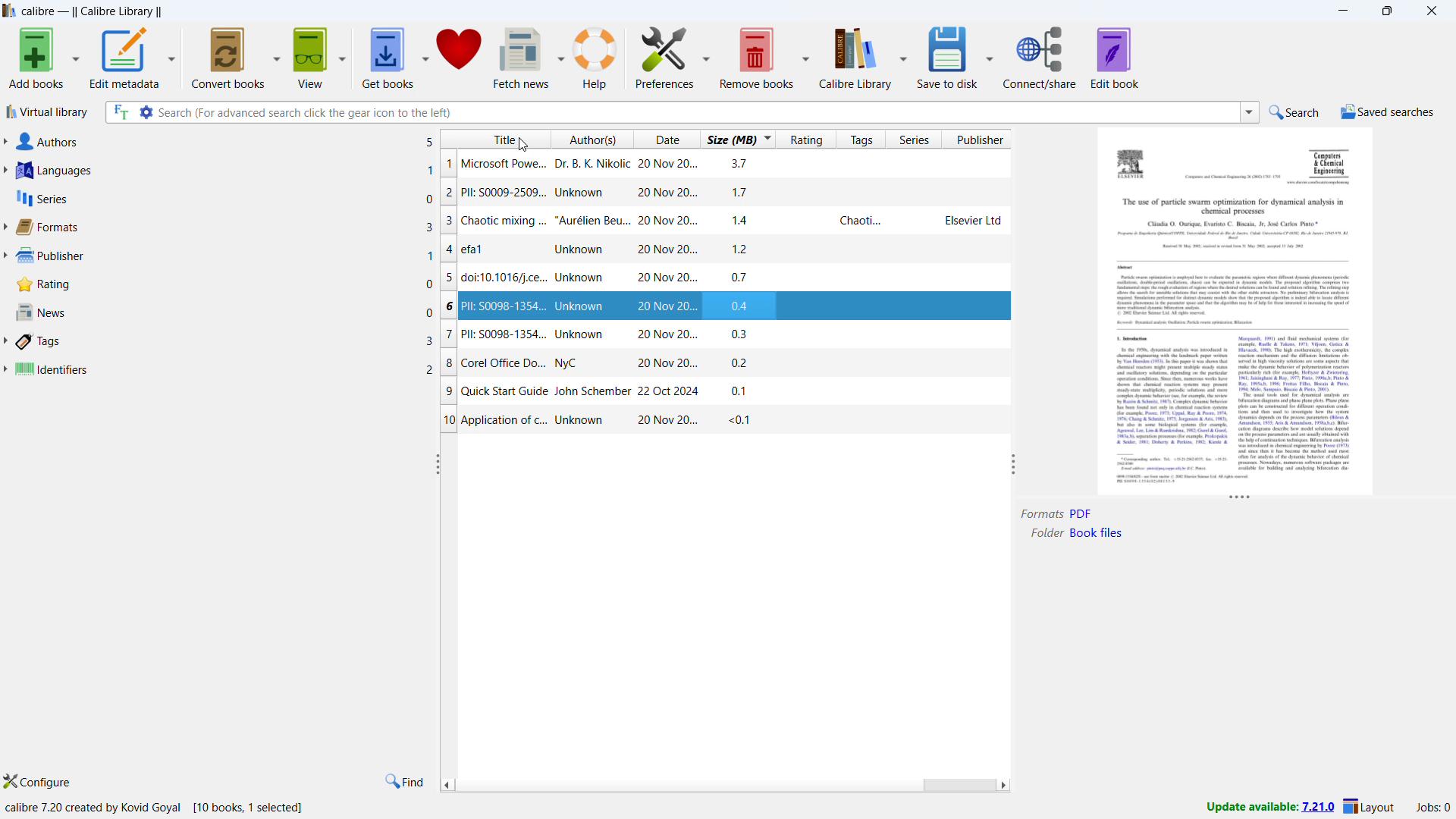 The image size is (1456, 819). What do you see at coordinates (1046, 535) in the screenshot?
I see `Folder` at bounding box center [1046, 535].